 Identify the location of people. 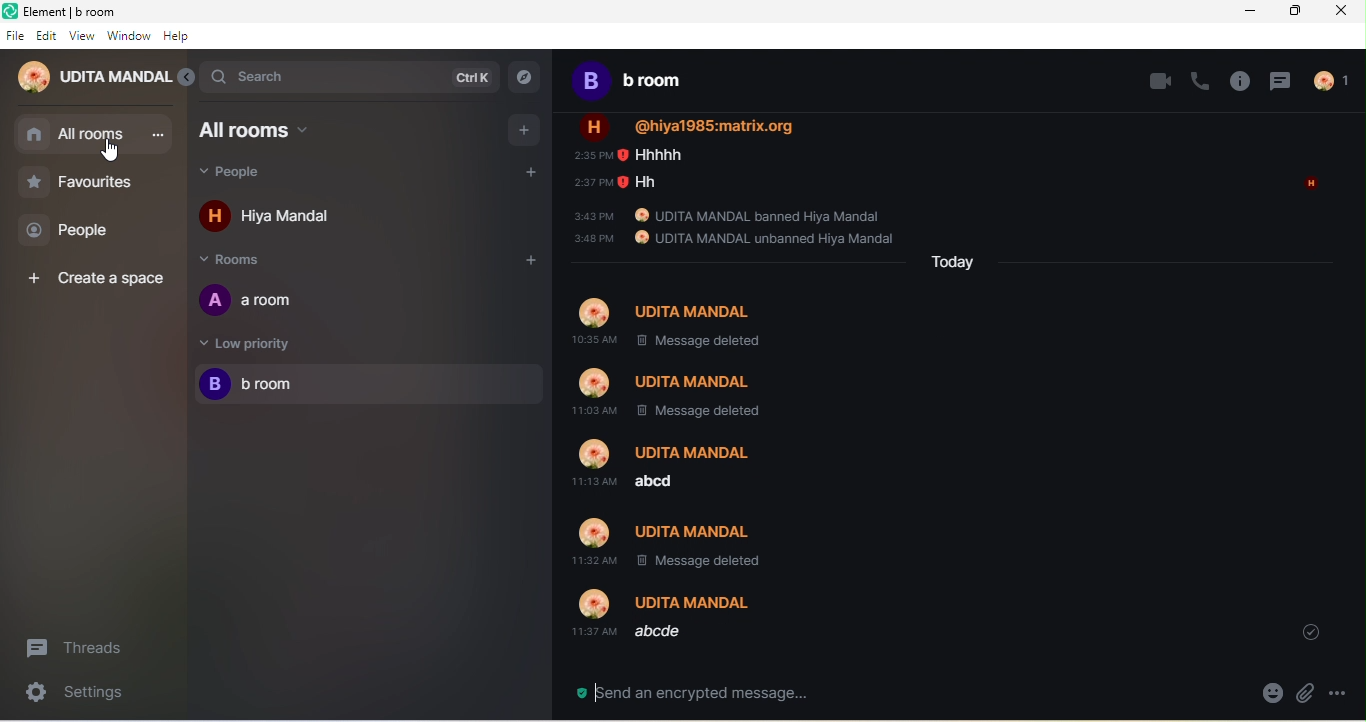
(254, 173).